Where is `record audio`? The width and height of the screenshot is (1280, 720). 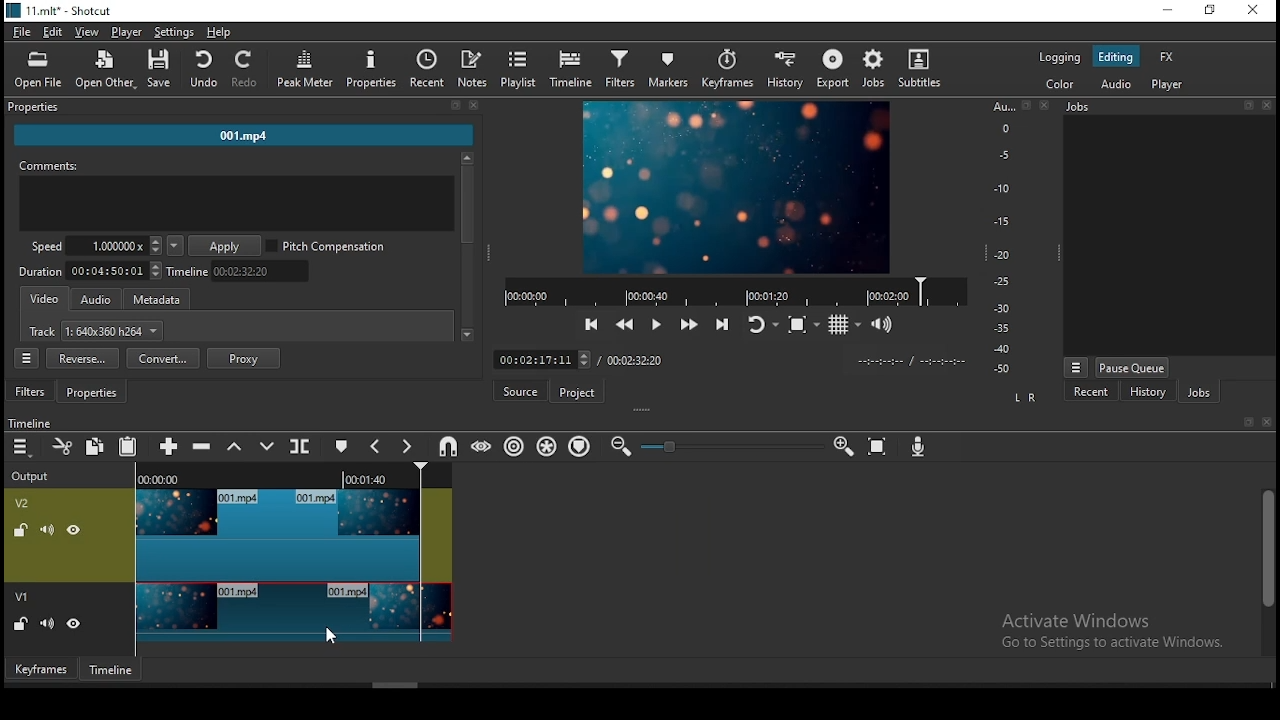
record audio is located at coordinates (920, 448).